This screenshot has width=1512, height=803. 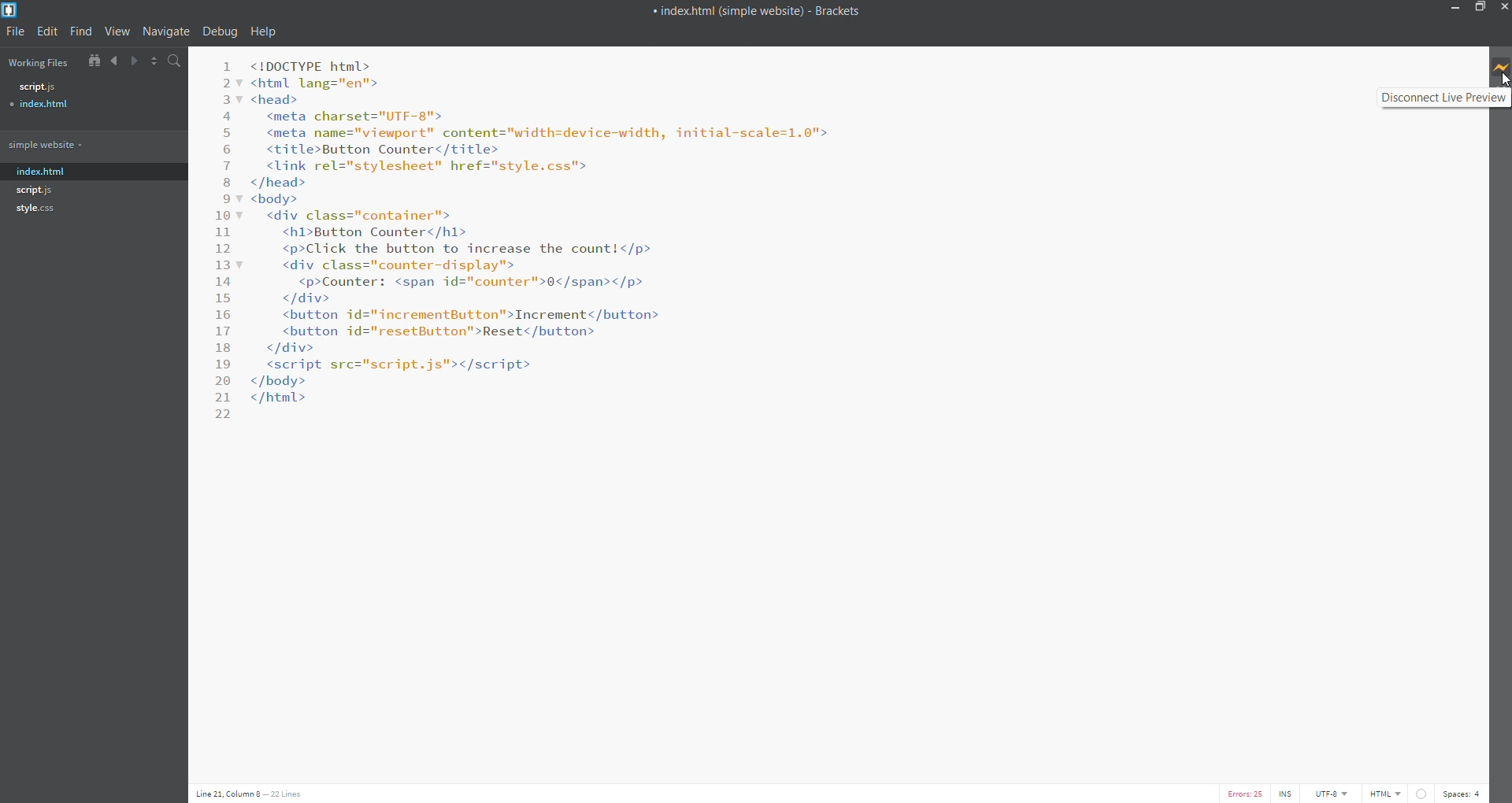 I want to click on cursor toggle, so click(x=1284, y=794).